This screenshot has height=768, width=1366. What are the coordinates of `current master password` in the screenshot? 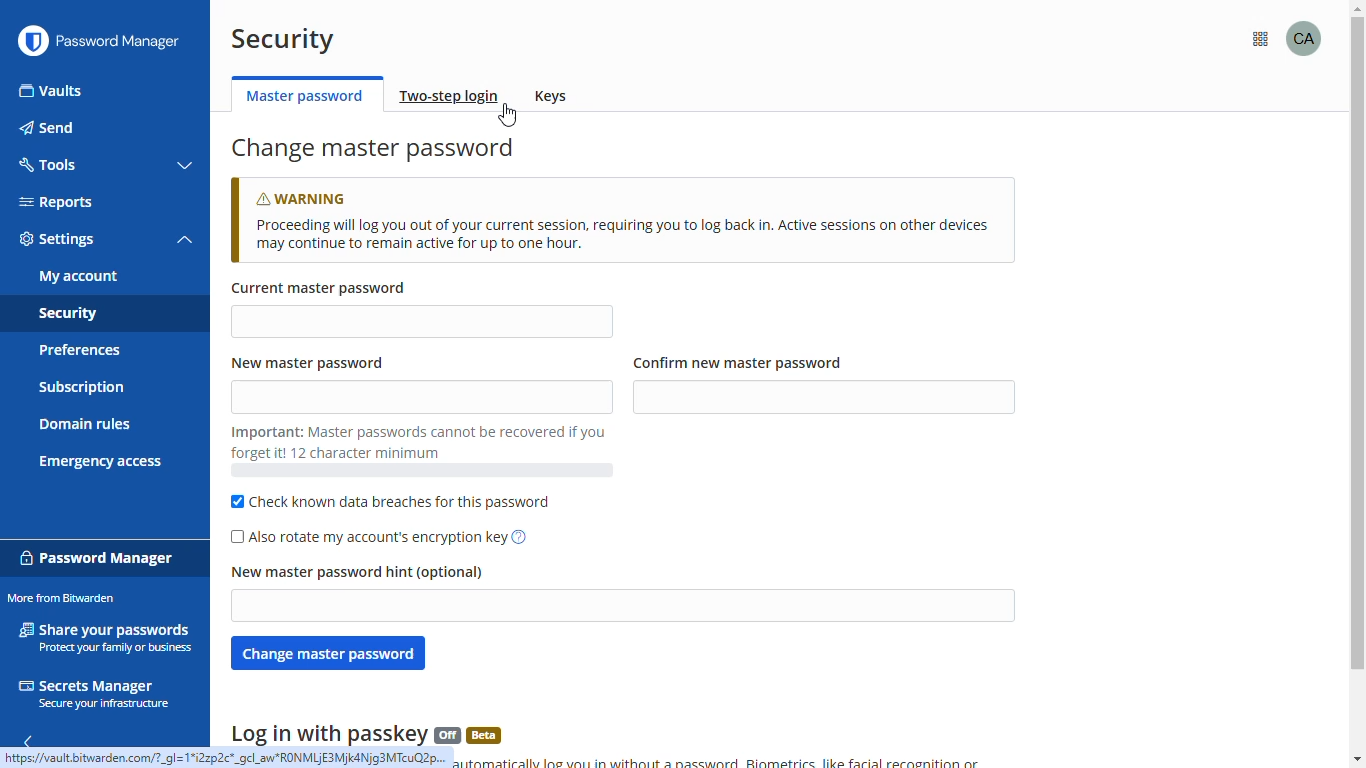 It's located at (423, 310).